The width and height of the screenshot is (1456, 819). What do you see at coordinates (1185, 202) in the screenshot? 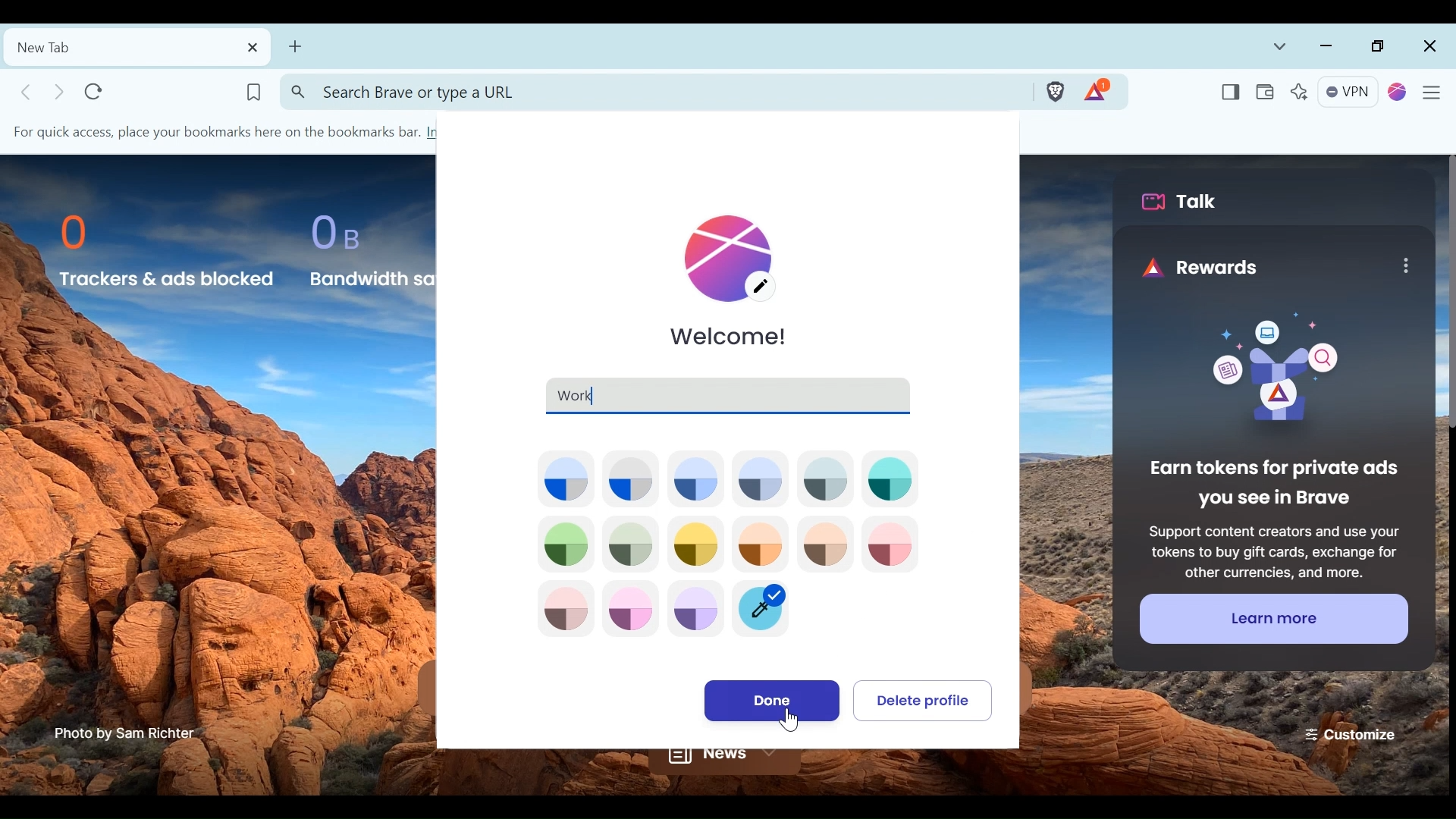
I see `Brave Talk` at bounding box center [1185, 202].